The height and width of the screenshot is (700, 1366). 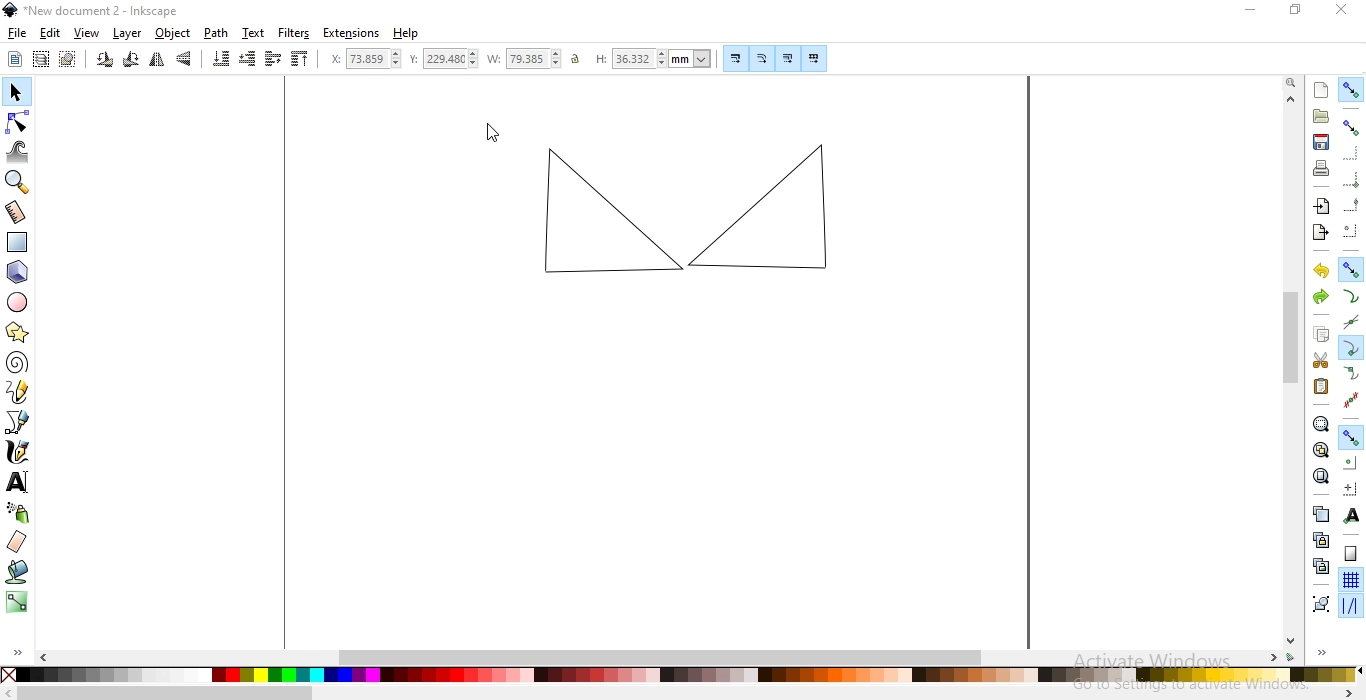 I want to click on rmaximize, so click(x=1294, y=12).